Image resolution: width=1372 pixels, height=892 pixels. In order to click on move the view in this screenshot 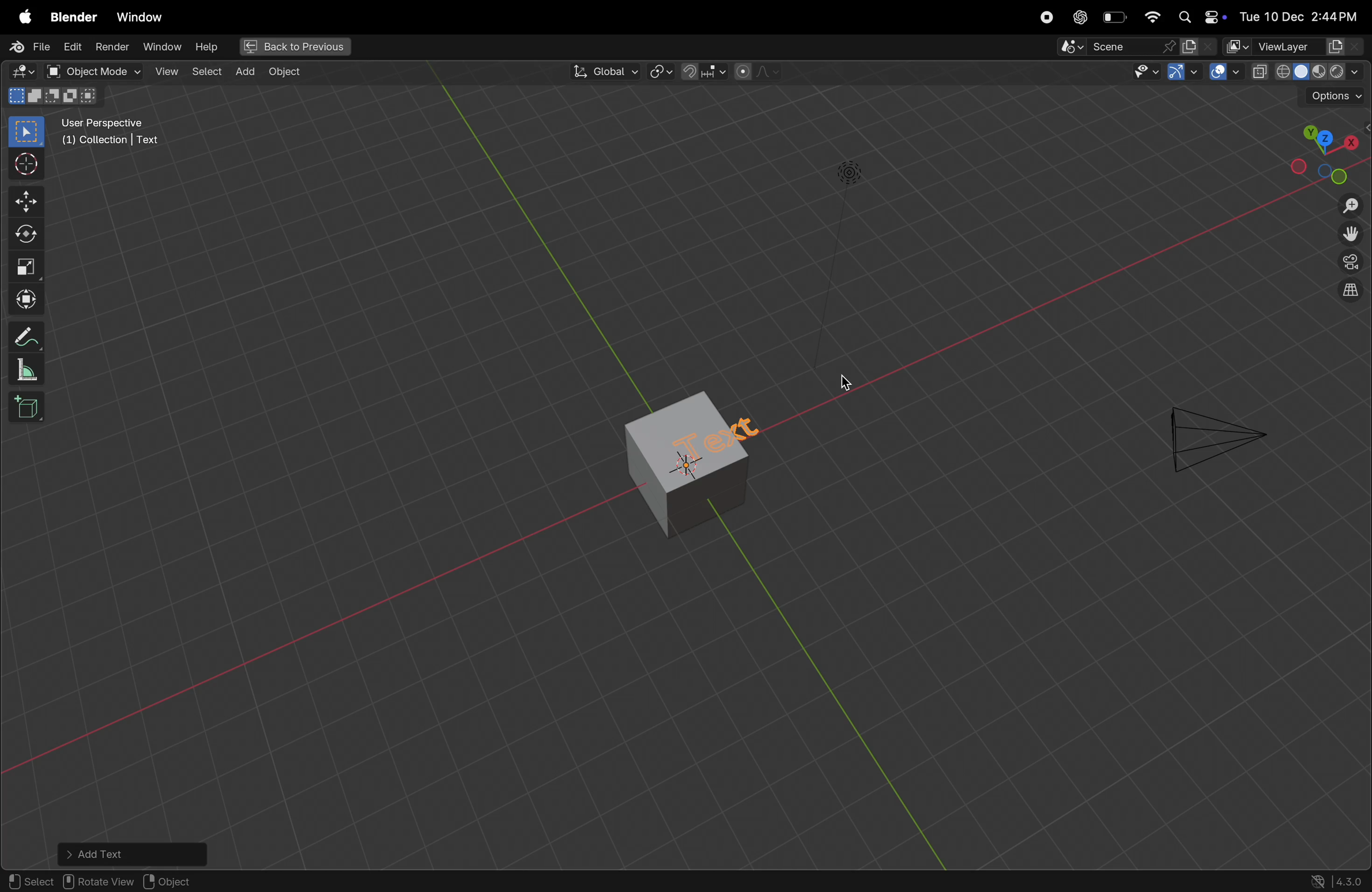, I will do `click(1350, 236)`.